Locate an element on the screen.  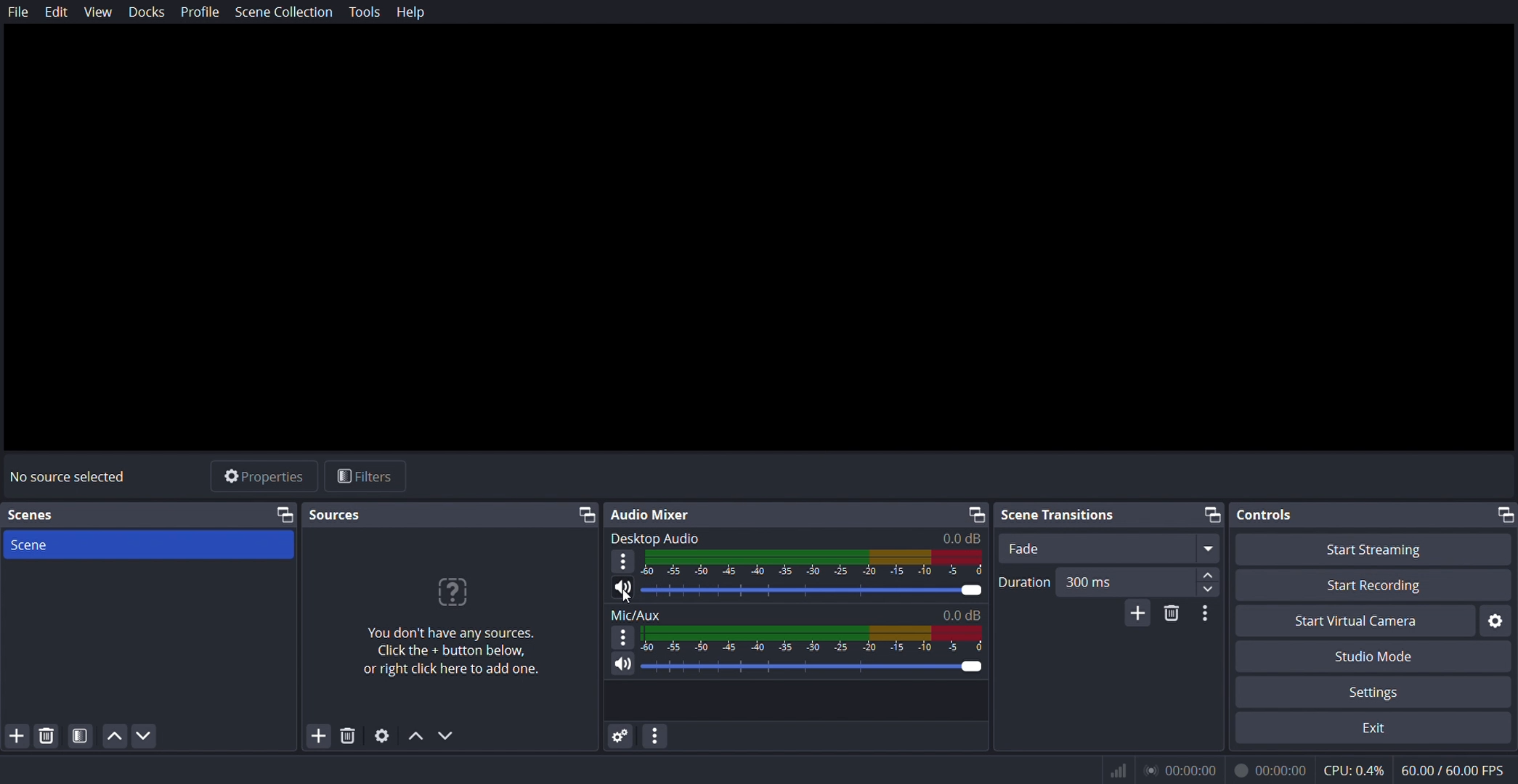
start virtual camera is located at coordinates (1497, 621).